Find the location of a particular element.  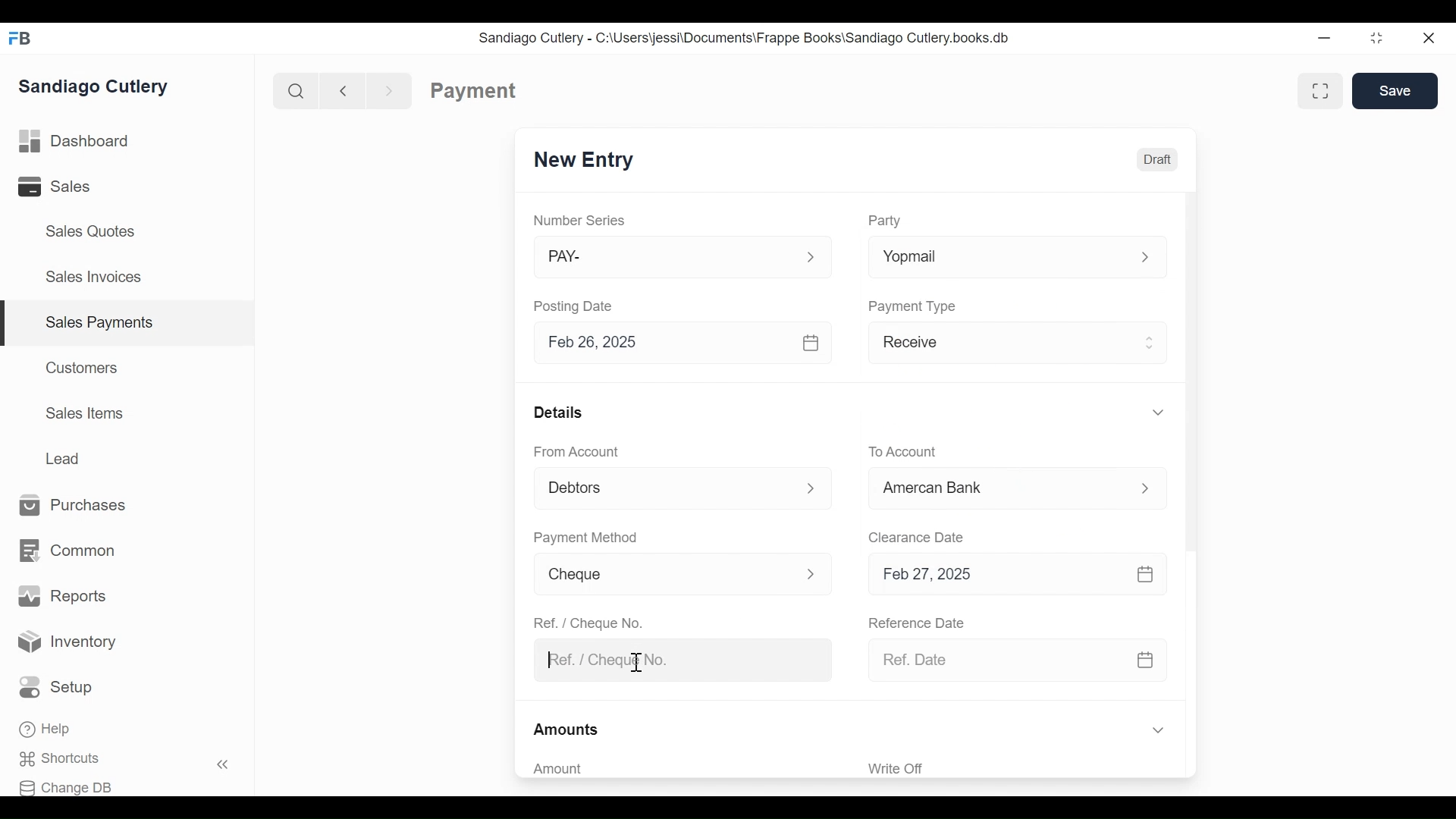

Reference Date is located at coordinates (915, 621).